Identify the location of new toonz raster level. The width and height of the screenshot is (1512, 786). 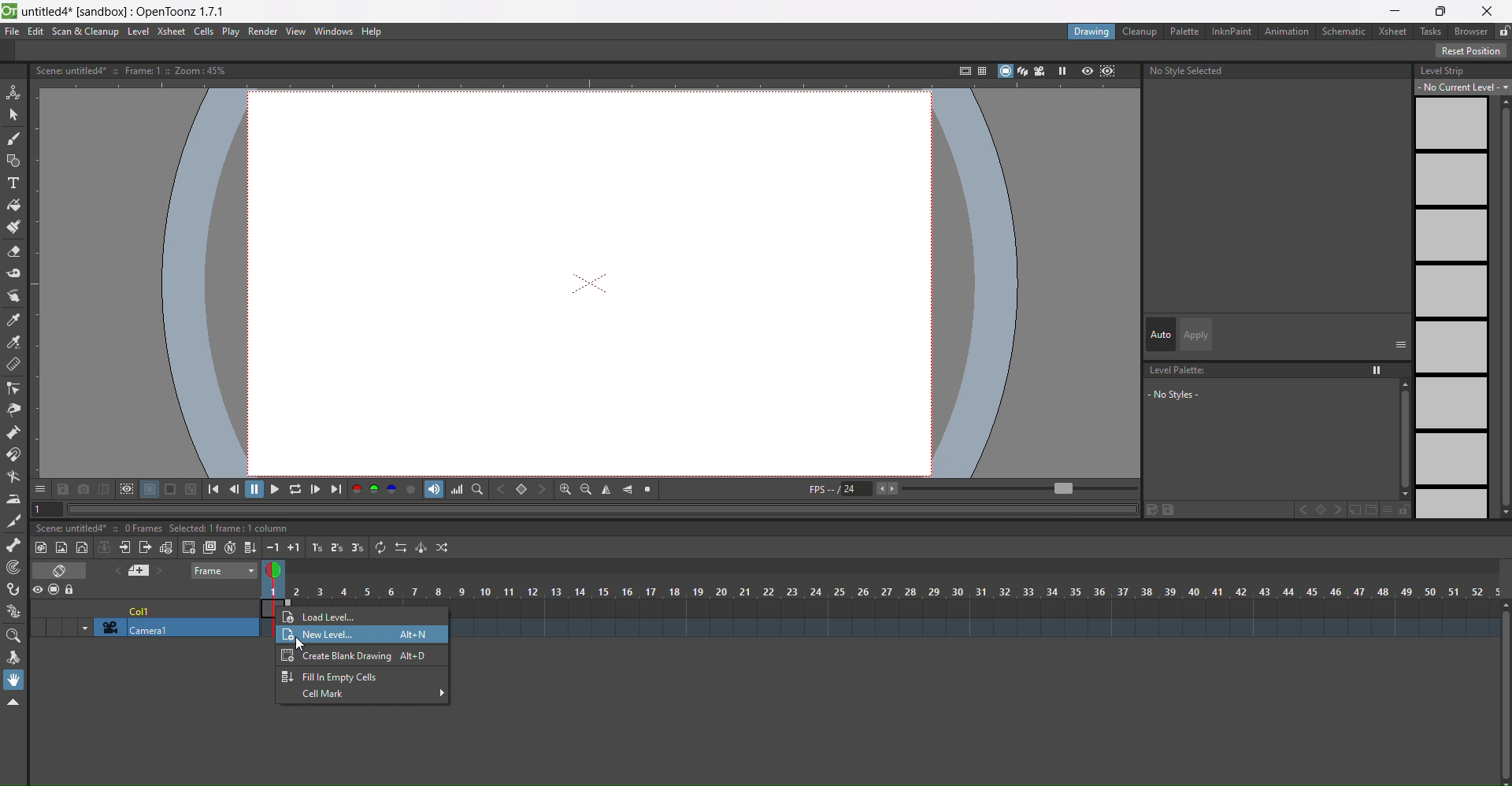
(43, 547).